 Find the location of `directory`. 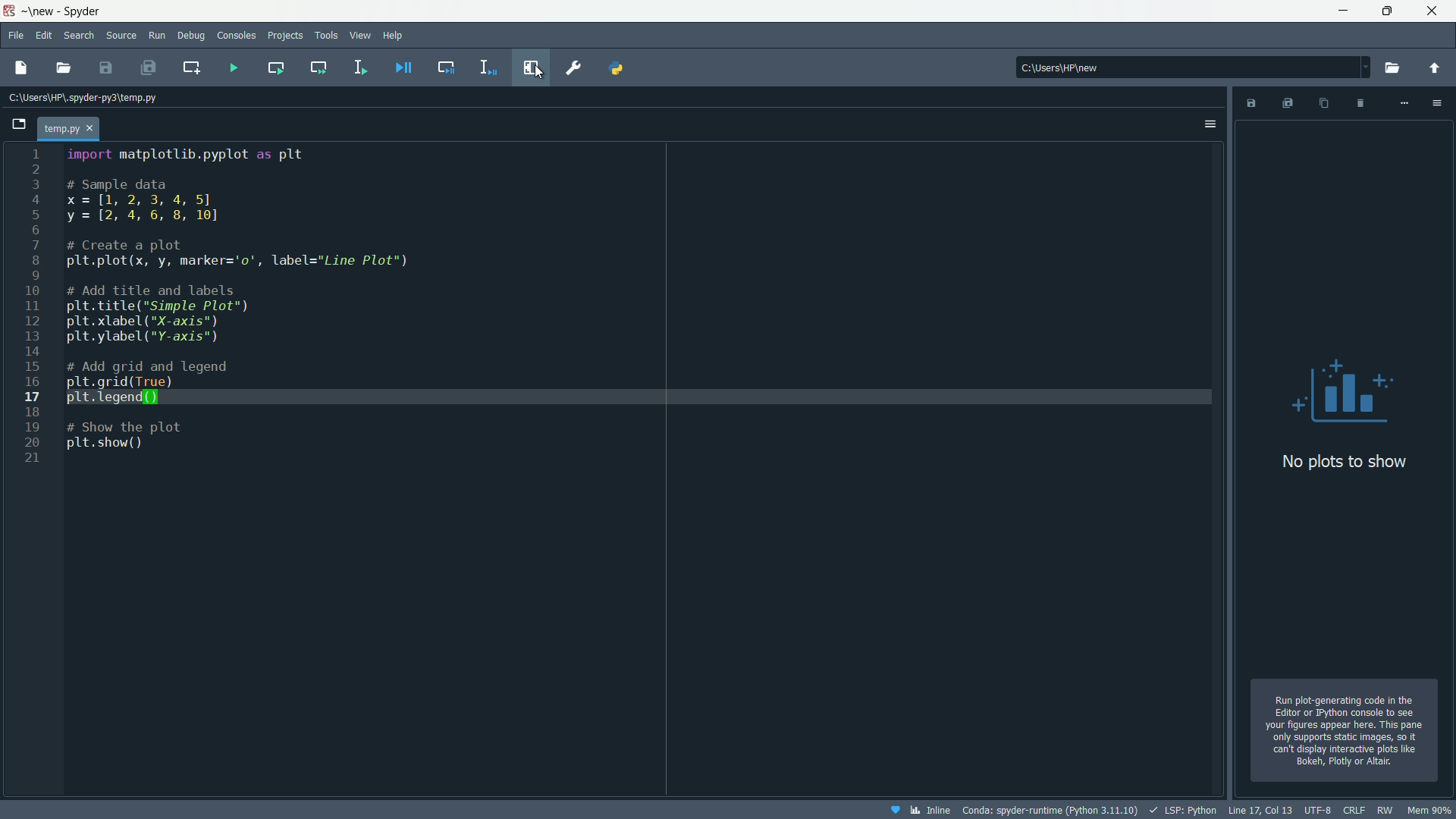

directory is located at coordinates (1194, 68).